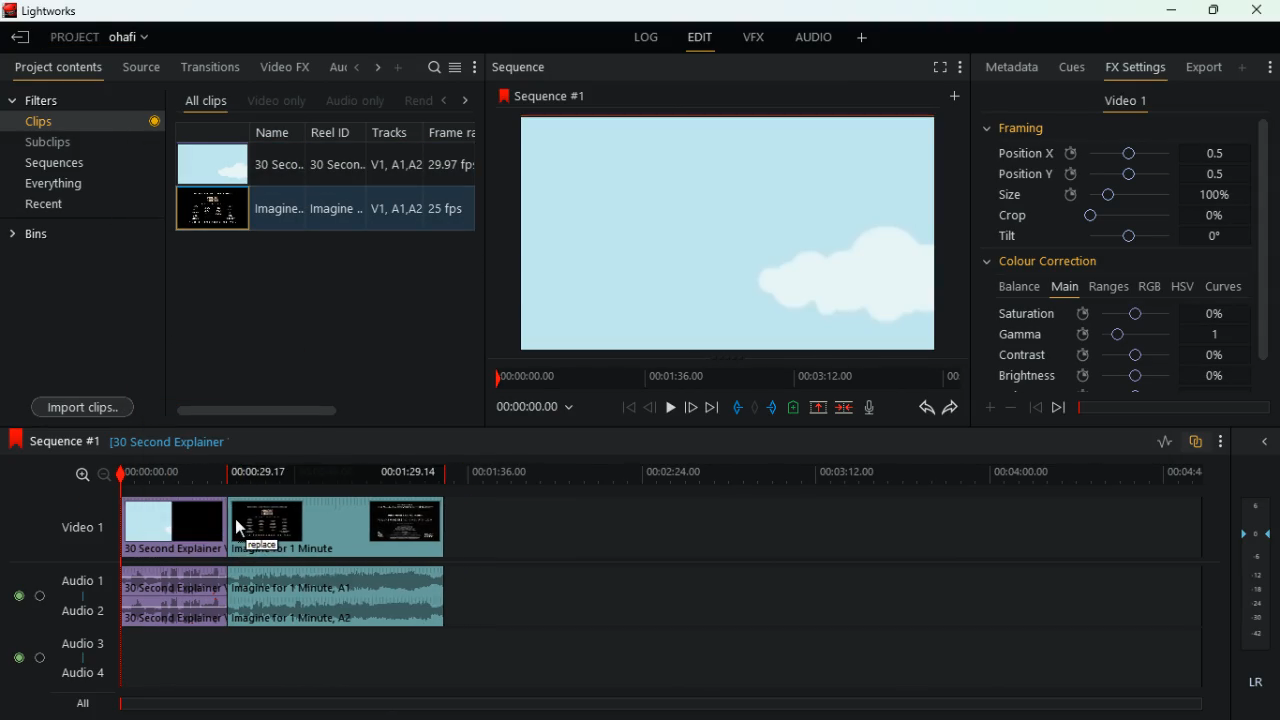  I want to click on frame, so click(450, 177).